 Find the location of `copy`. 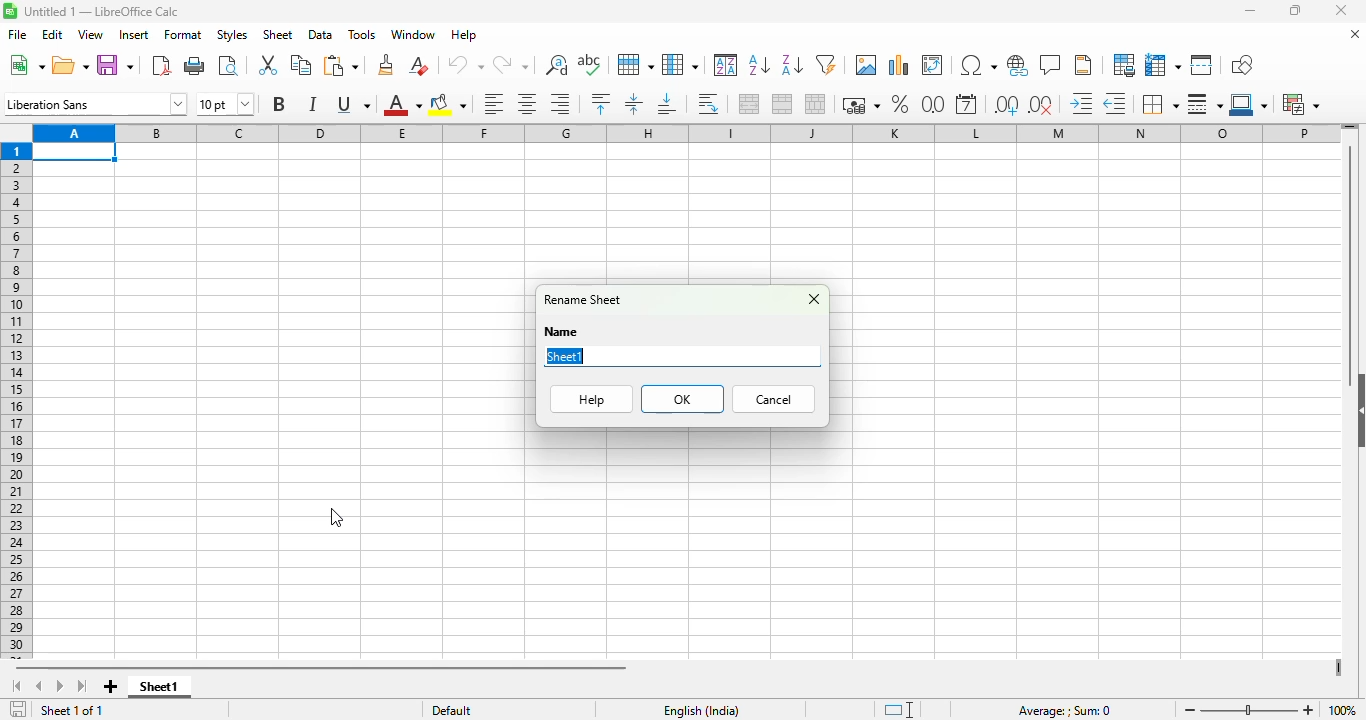

copy is located at coordinates (301, 63).